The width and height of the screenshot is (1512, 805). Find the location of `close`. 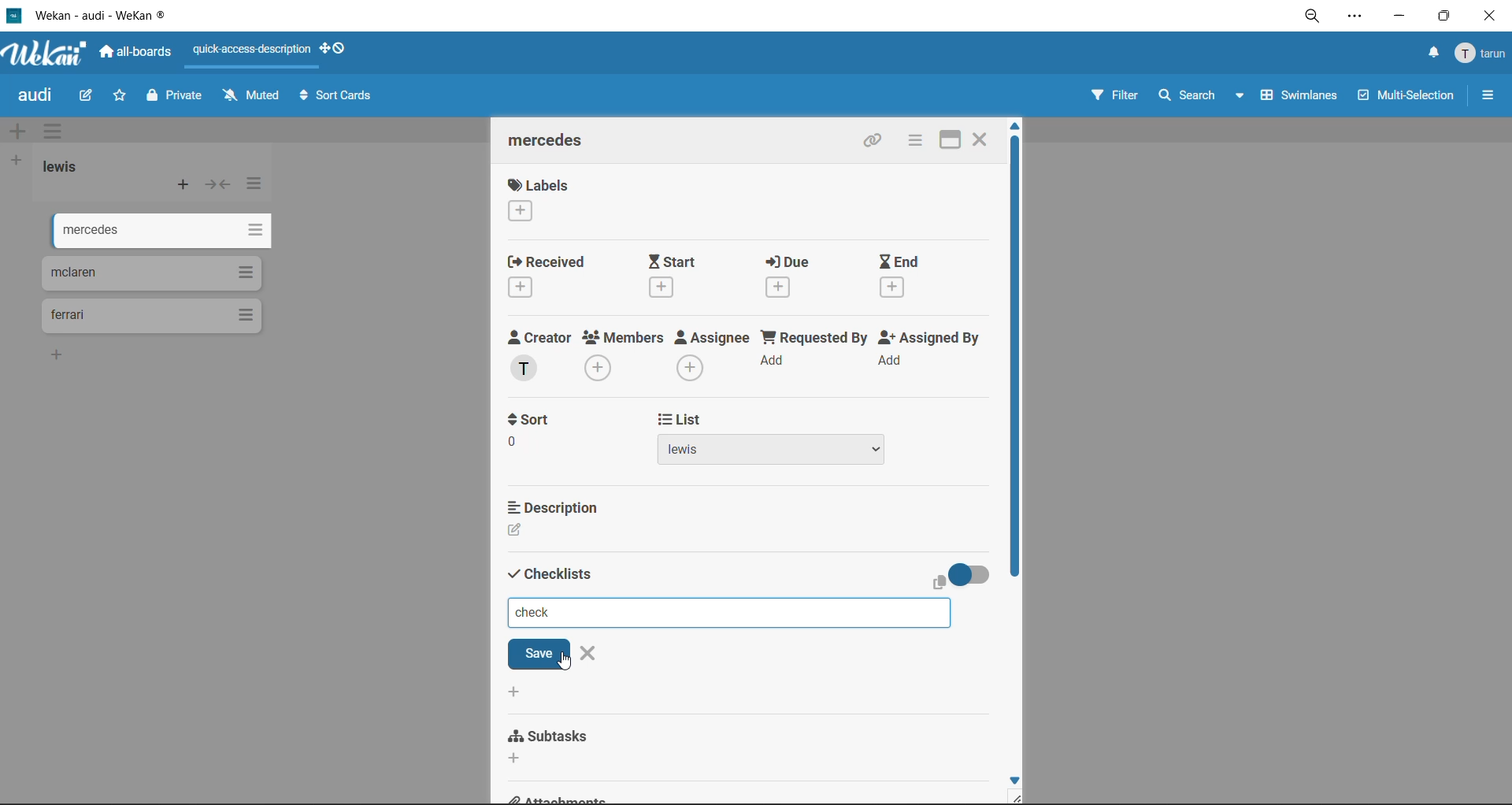

close is located at coordinates (1488, 17).